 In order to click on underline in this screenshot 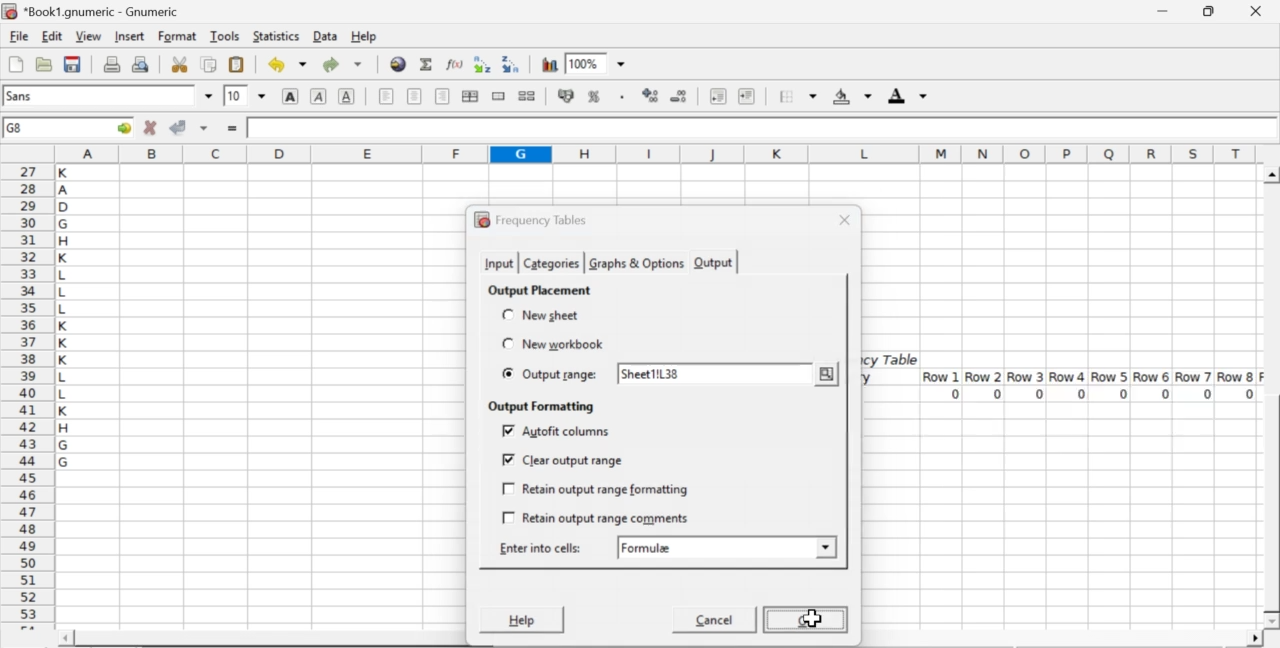, I will do `click(347, 95)`.